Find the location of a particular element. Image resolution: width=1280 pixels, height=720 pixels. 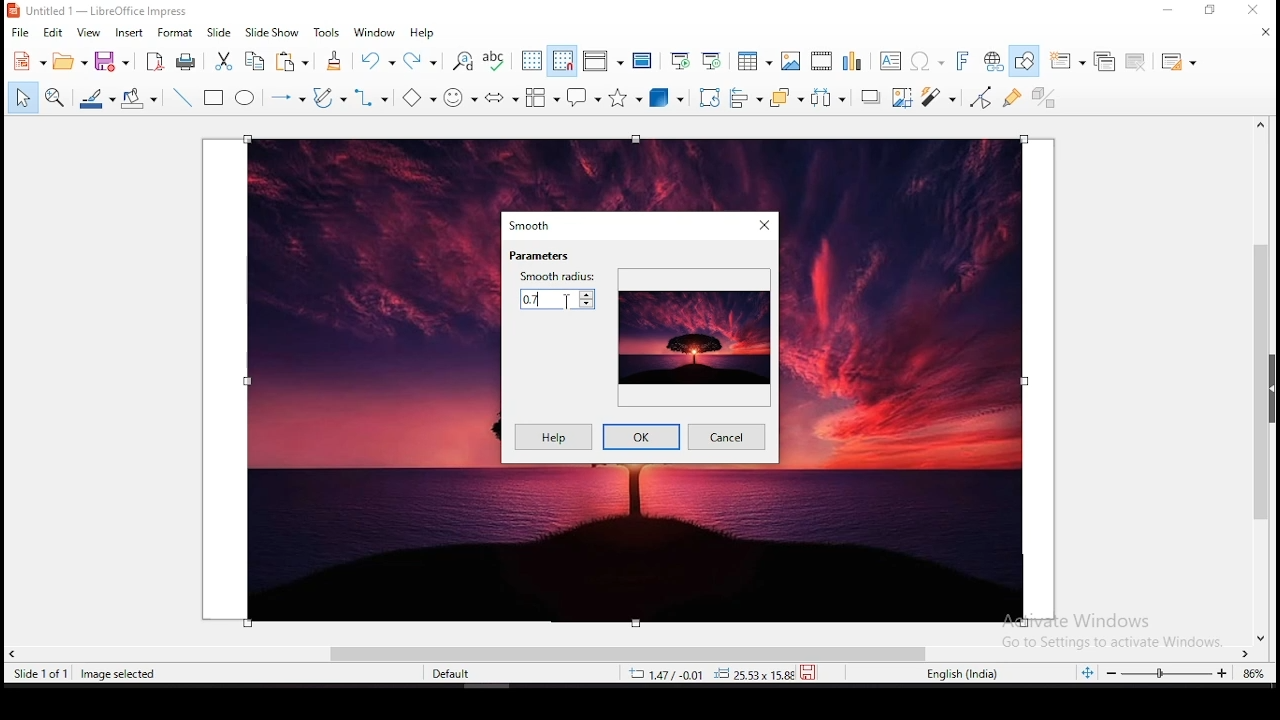

block arrows is located at coordinates (502, 97).